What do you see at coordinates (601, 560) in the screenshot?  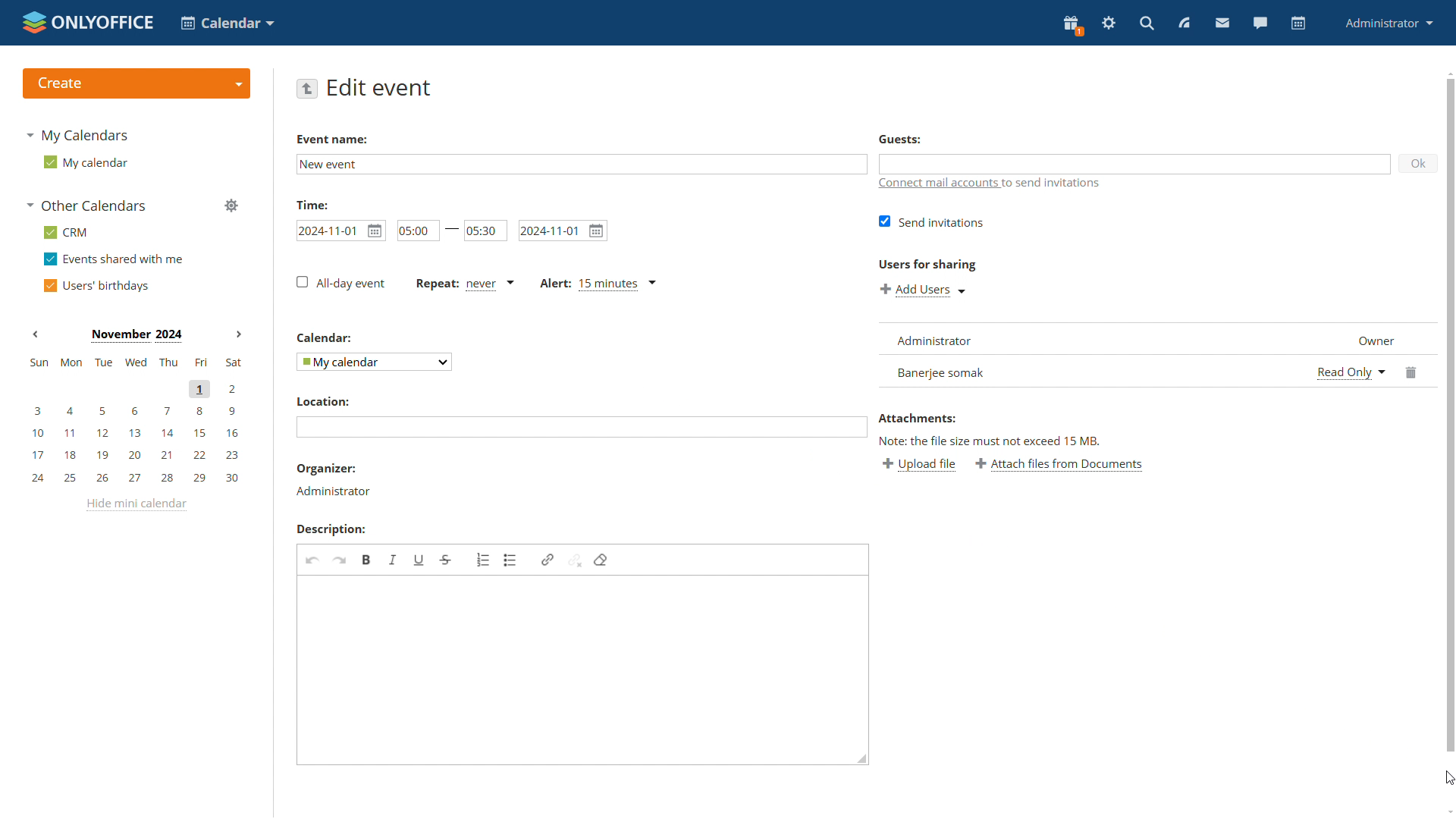 I see `remove format` at bounding box center [601, 560].